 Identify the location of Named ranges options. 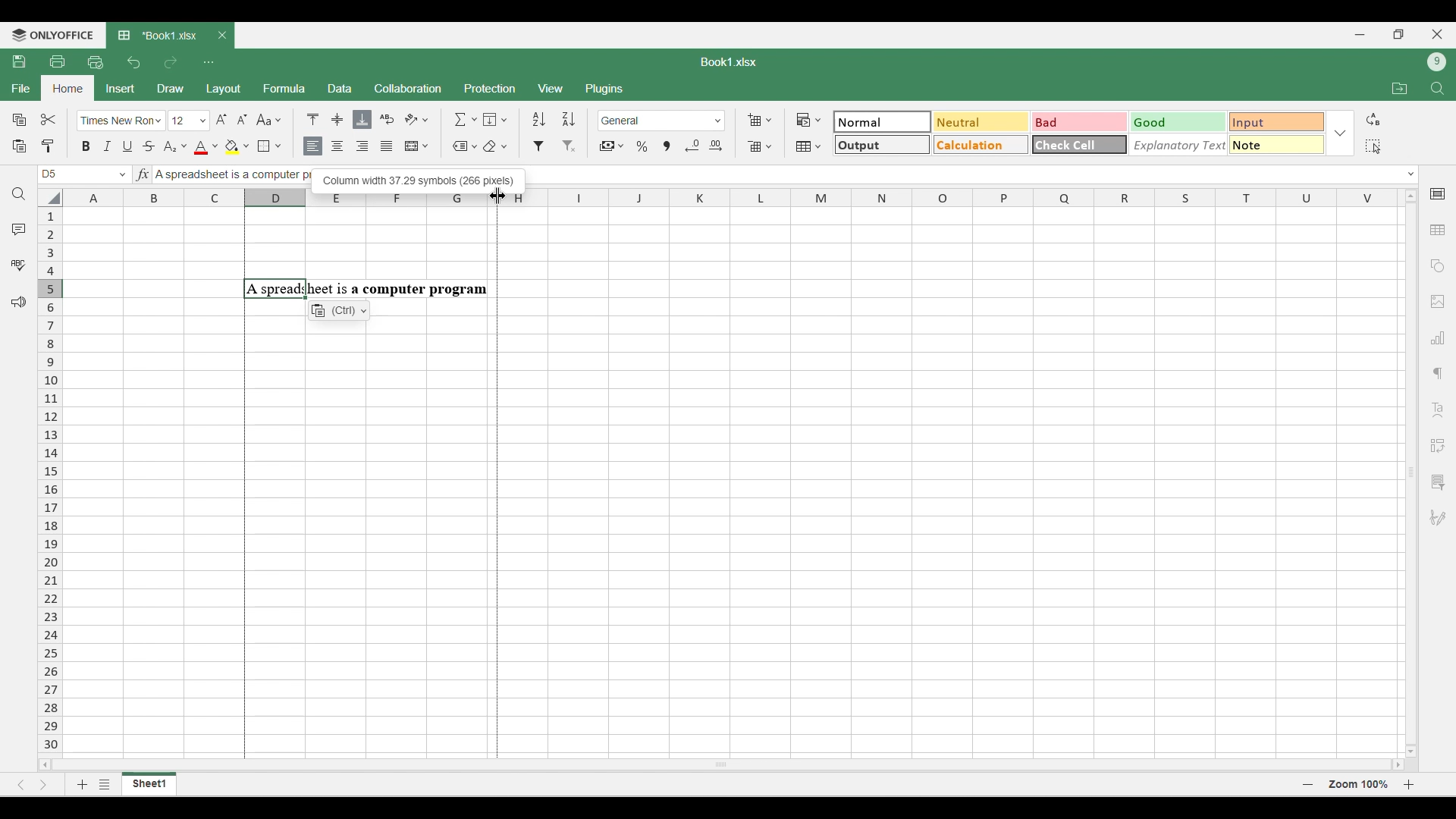
(465, 147).